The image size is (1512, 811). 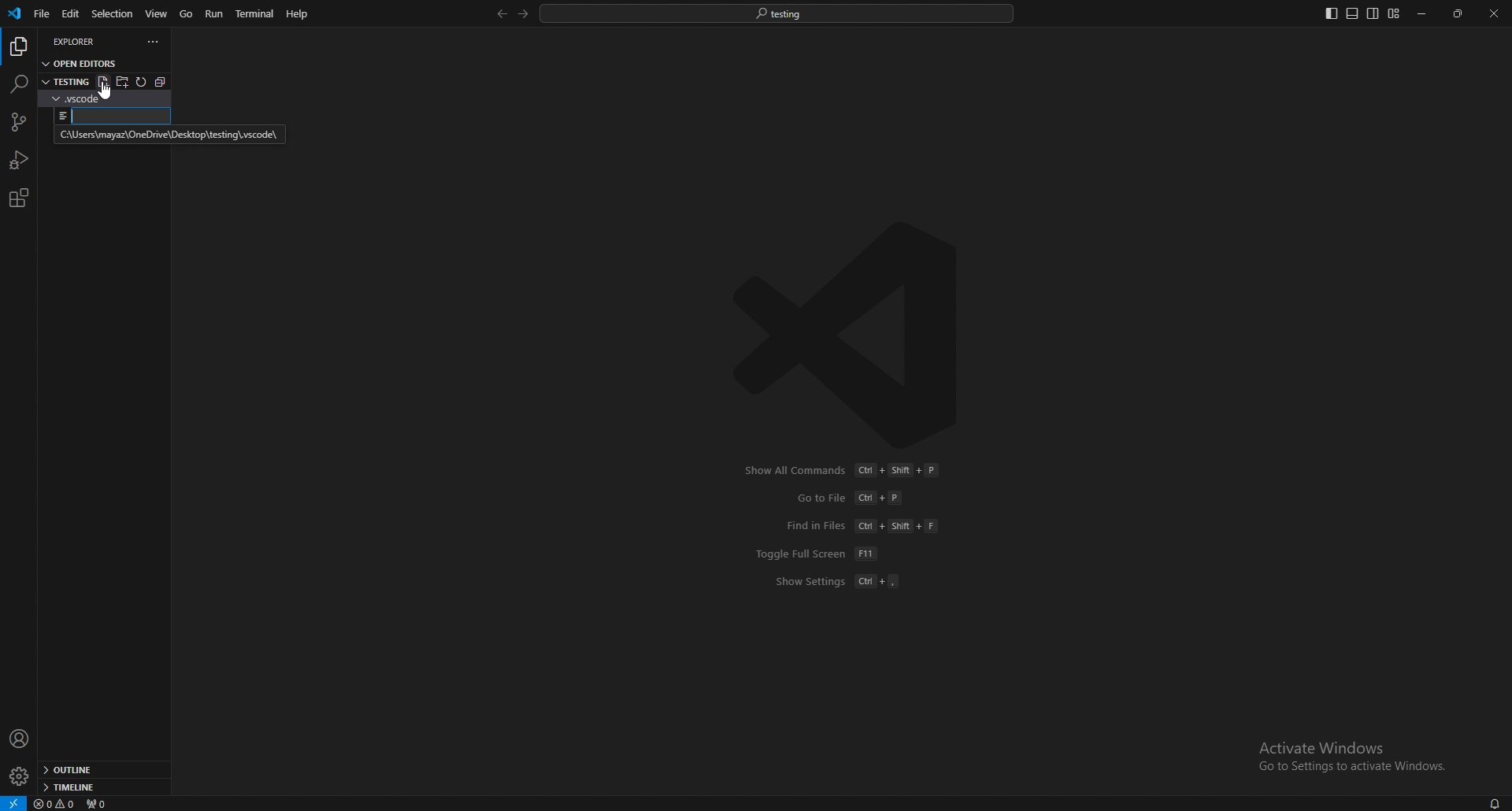 What do you see at coordinates (102, 82) in the screenshot?
I see `new file` at bounding box center [102, 82].